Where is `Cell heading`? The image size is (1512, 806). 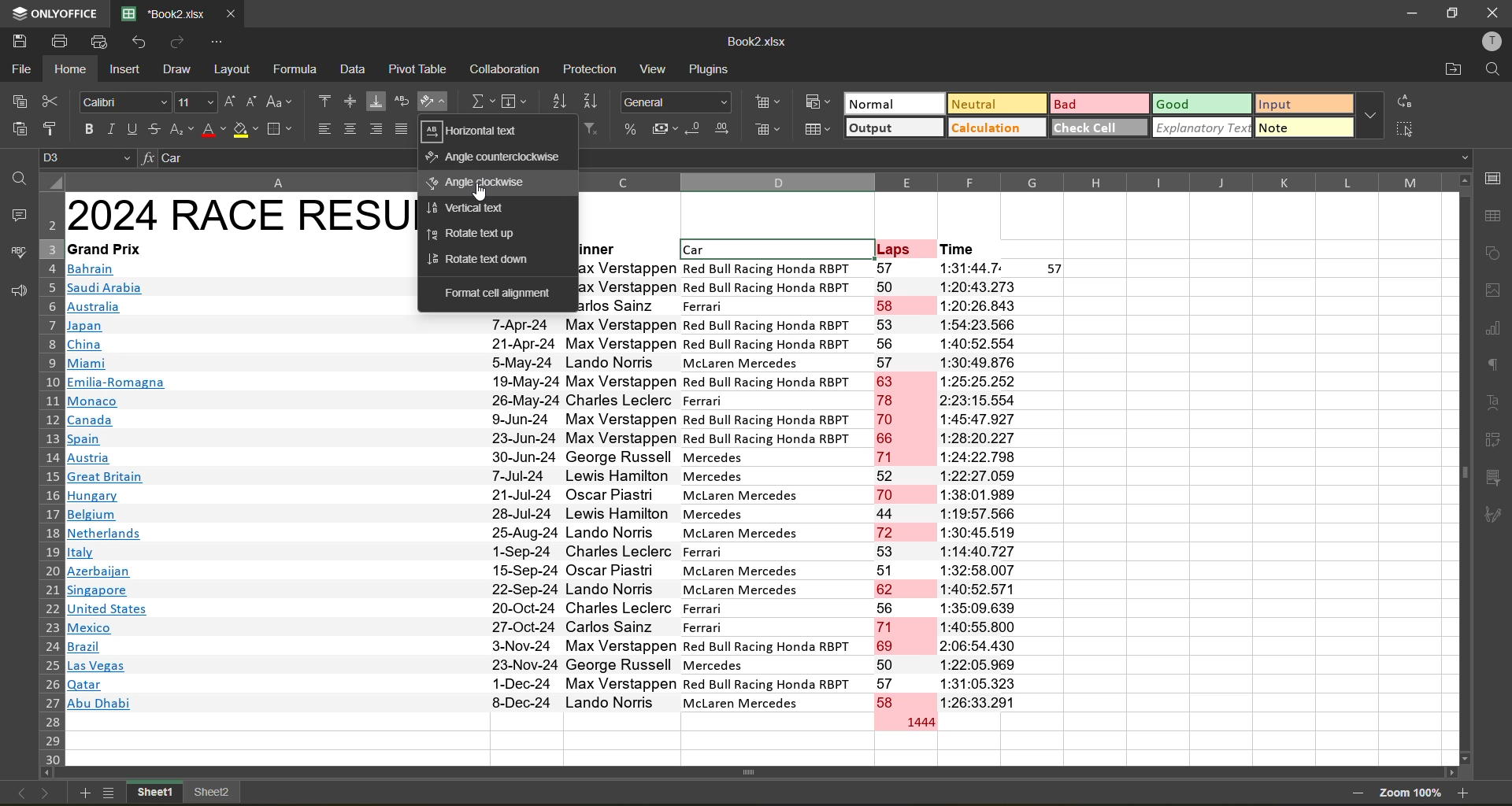
Cell heading is located at coordinates (797, 250).